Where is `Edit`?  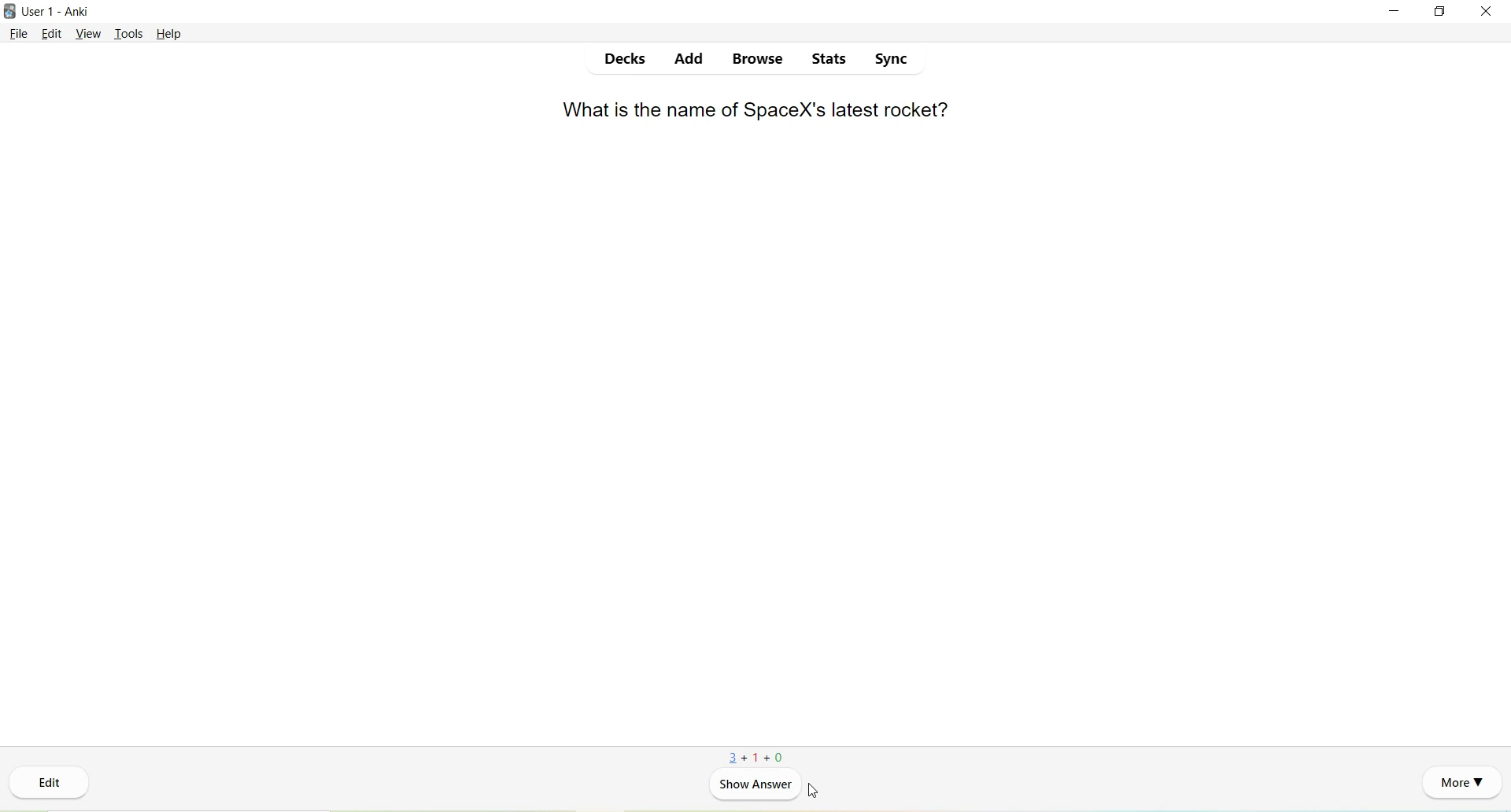
Edit is located at coordinates (54, 34).